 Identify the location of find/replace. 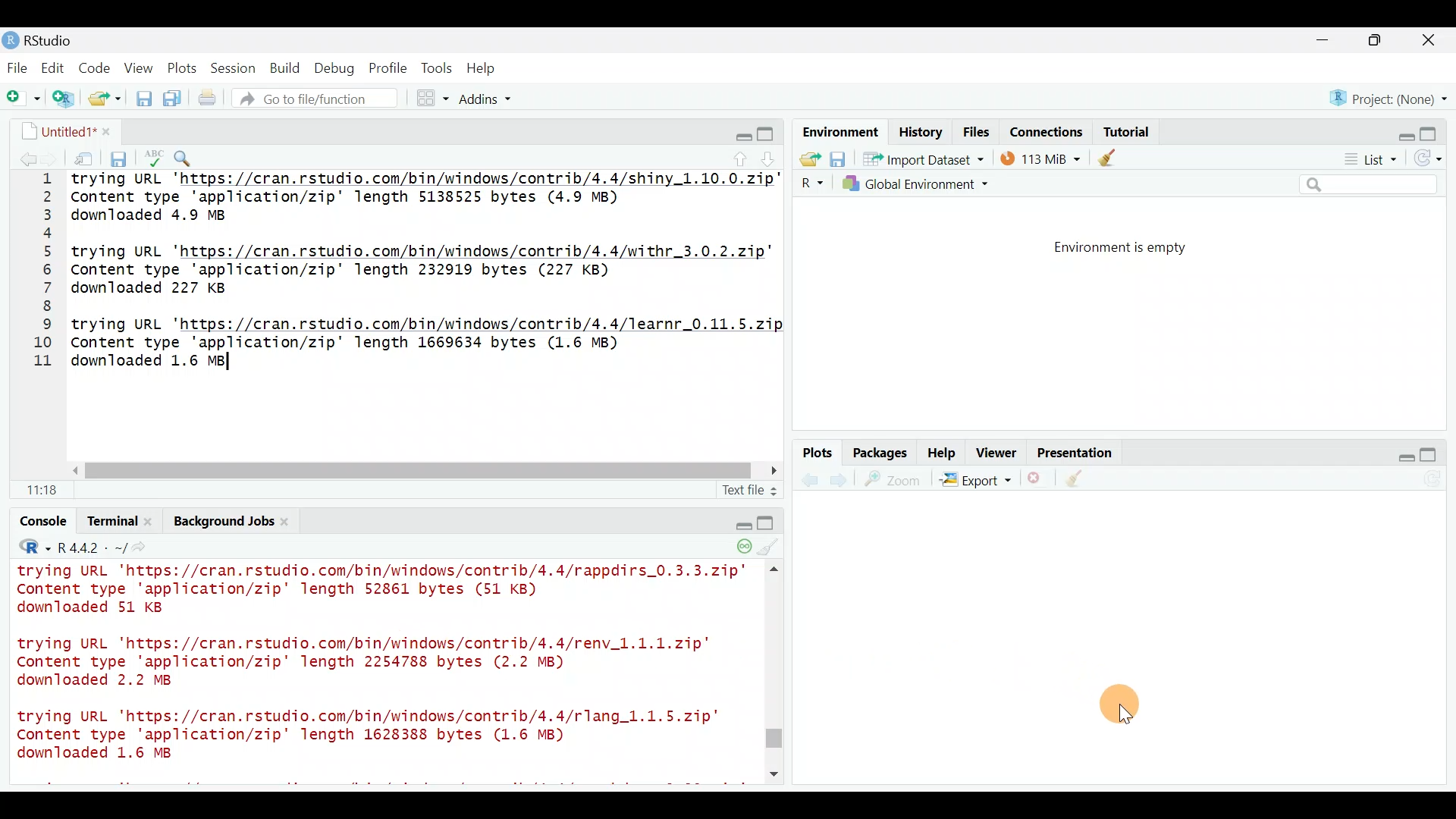
(184, 155).